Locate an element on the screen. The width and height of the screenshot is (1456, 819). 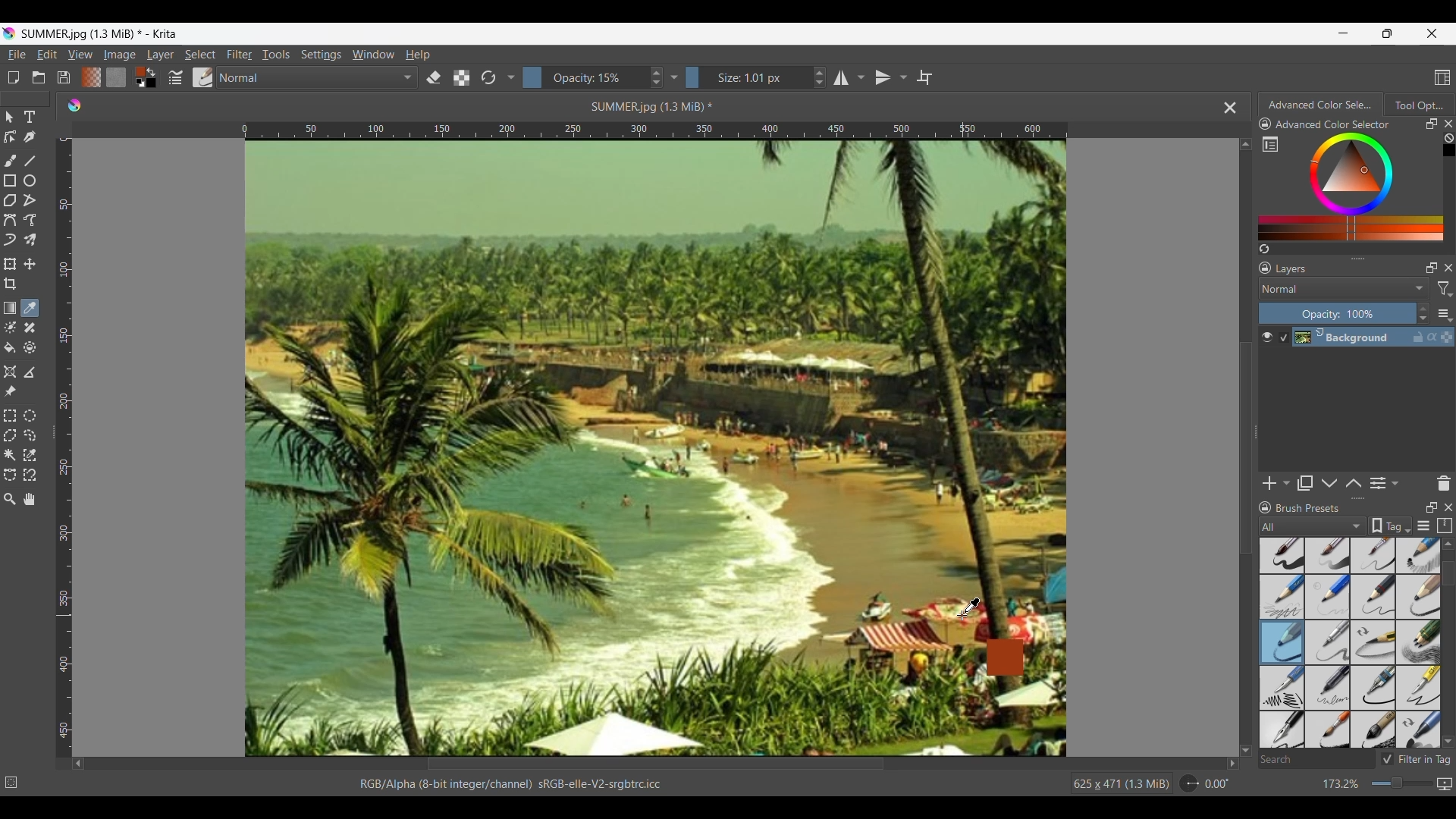
Vertical scale is located at coordinates (67, 444).